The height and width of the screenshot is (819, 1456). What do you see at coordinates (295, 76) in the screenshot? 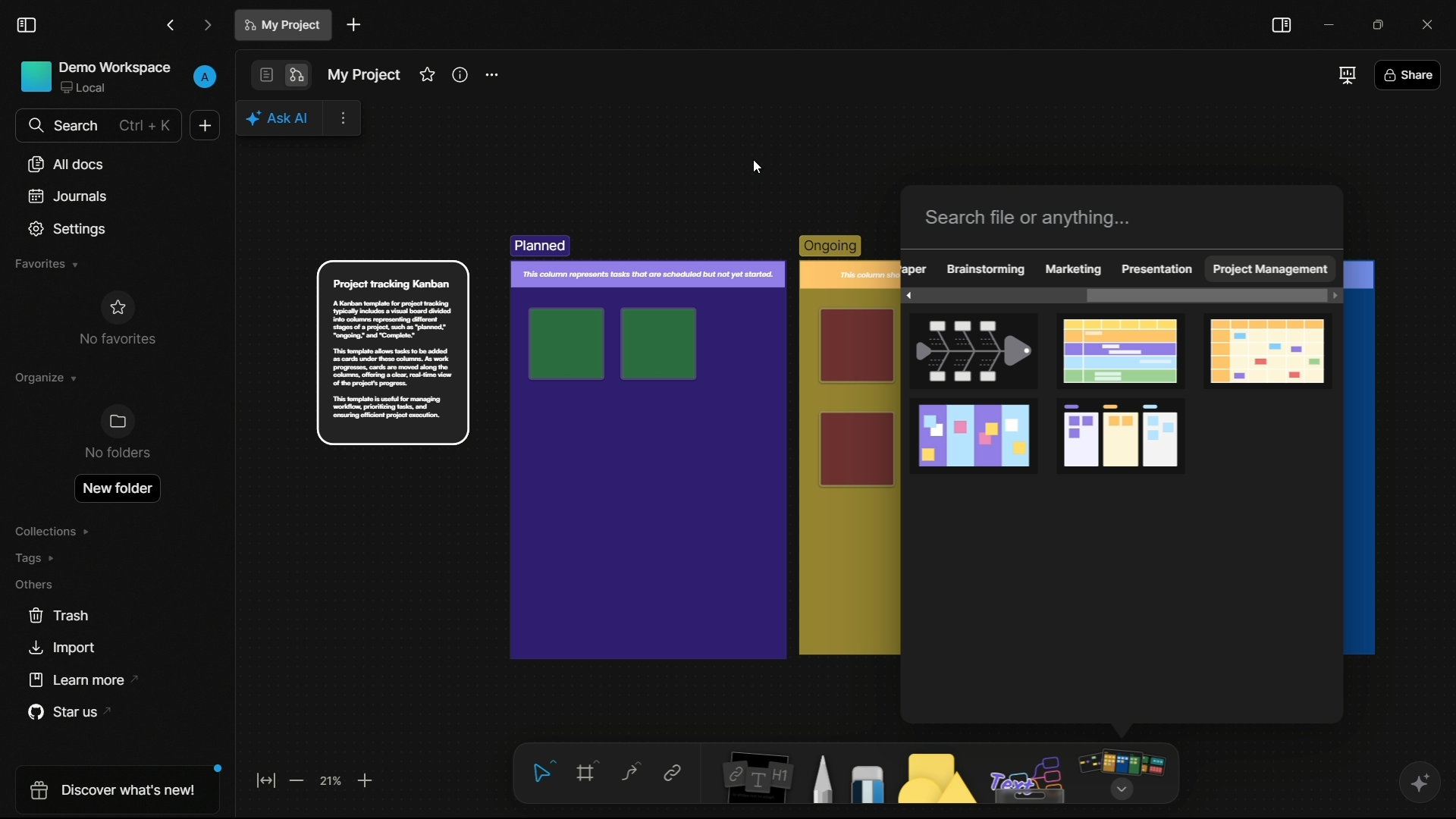
I see `edgeless mode` at bounding box center [295, 76].